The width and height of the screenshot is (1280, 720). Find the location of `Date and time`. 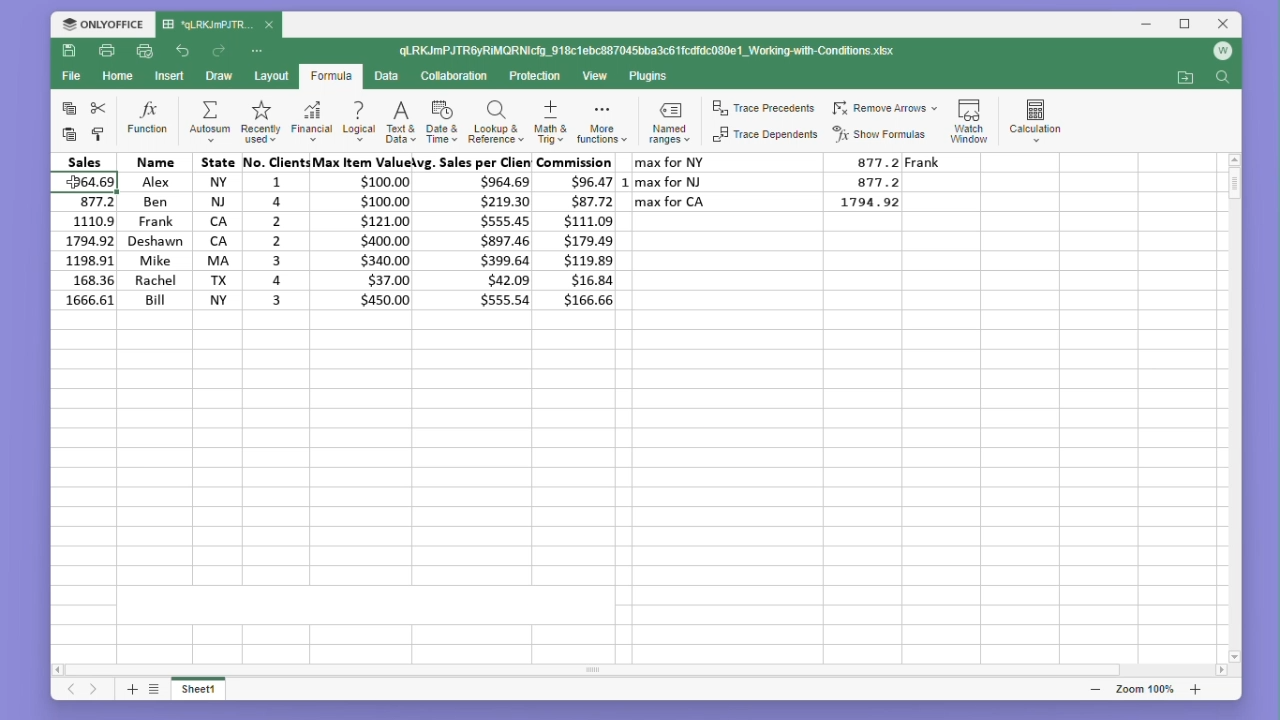

Date and time is located at coordinates (441, 119).